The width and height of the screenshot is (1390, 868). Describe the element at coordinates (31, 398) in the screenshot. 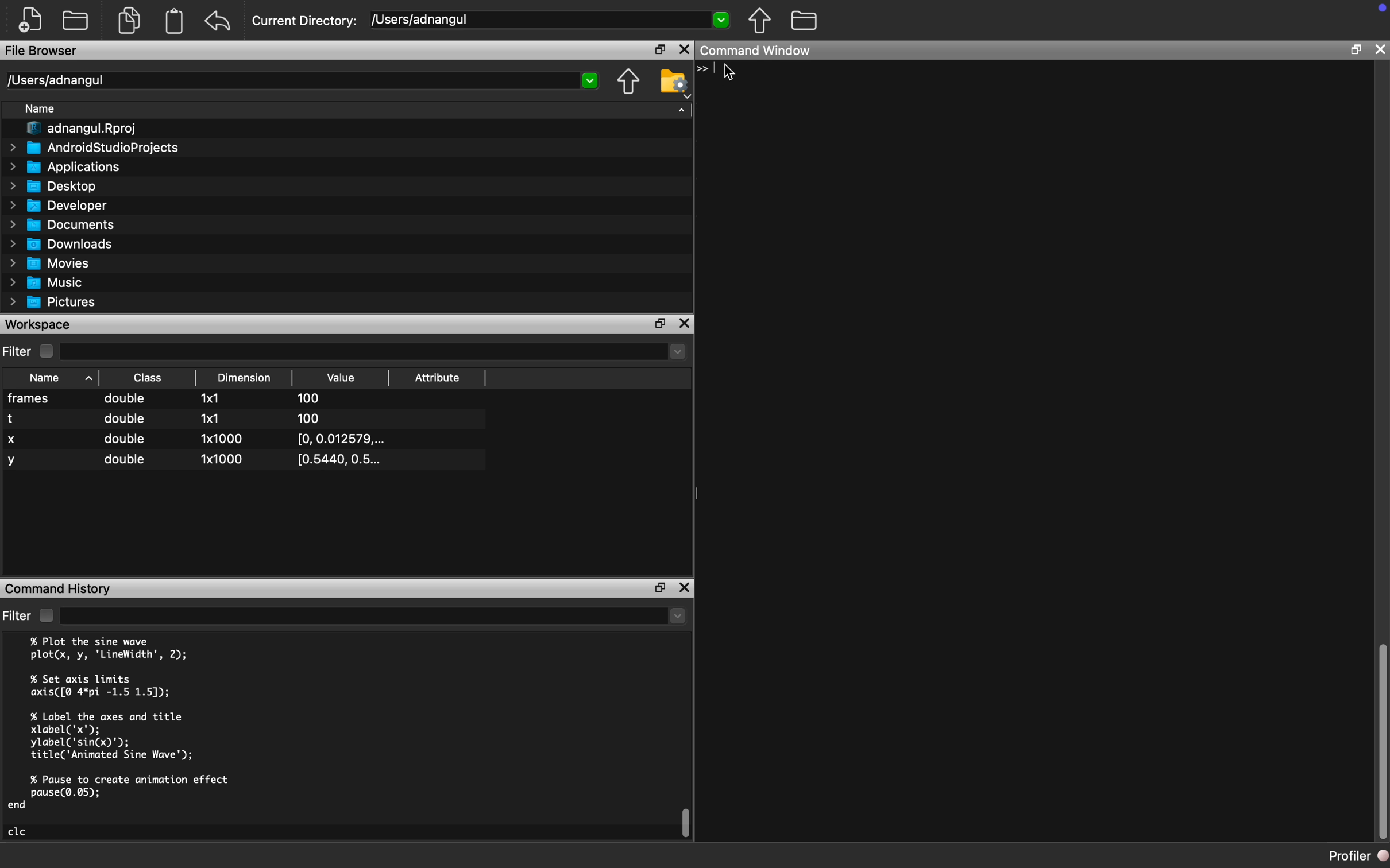

I see `frames` at that location.